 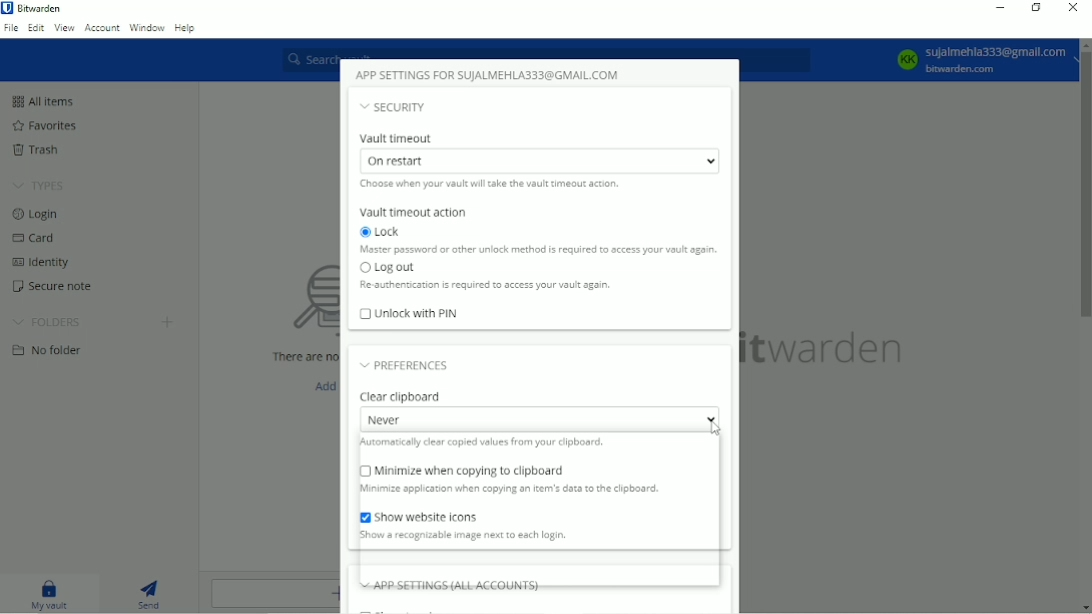 I want to click on Never, so click(x=538, y=419).